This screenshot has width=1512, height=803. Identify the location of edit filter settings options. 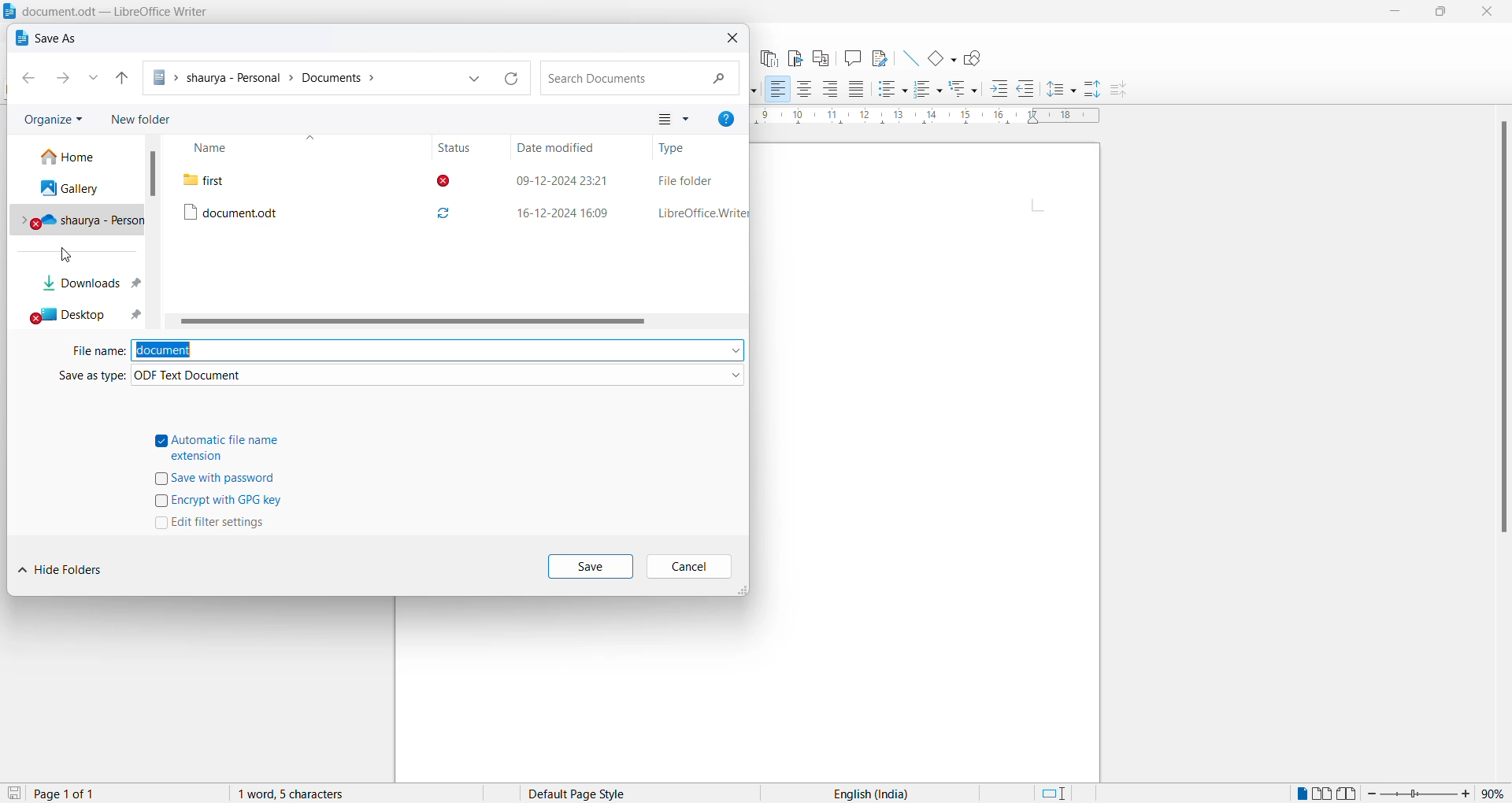
(215, 525).